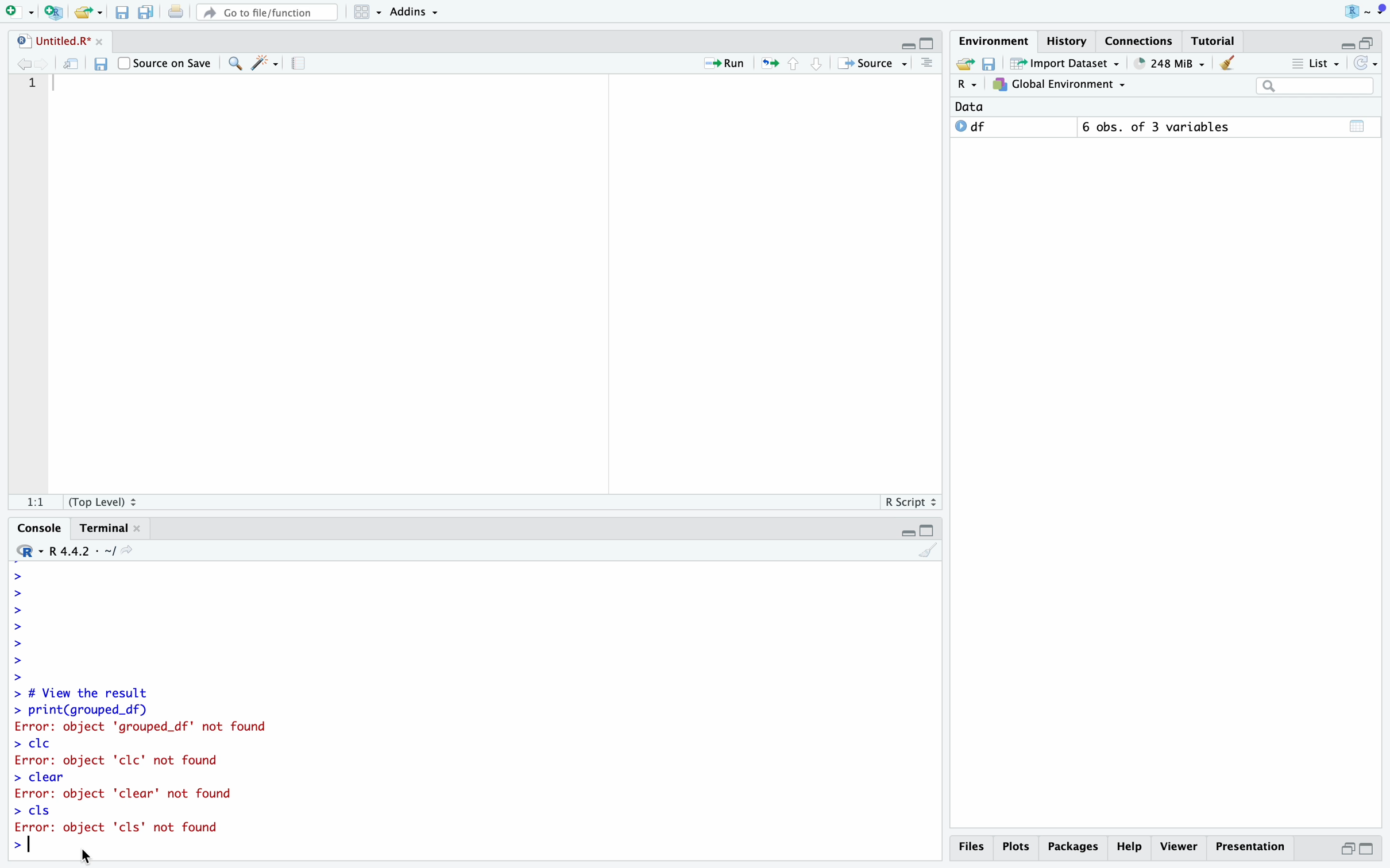 This screenshot has width=1390, height=868. I want to click on Print, so click(176, 11).